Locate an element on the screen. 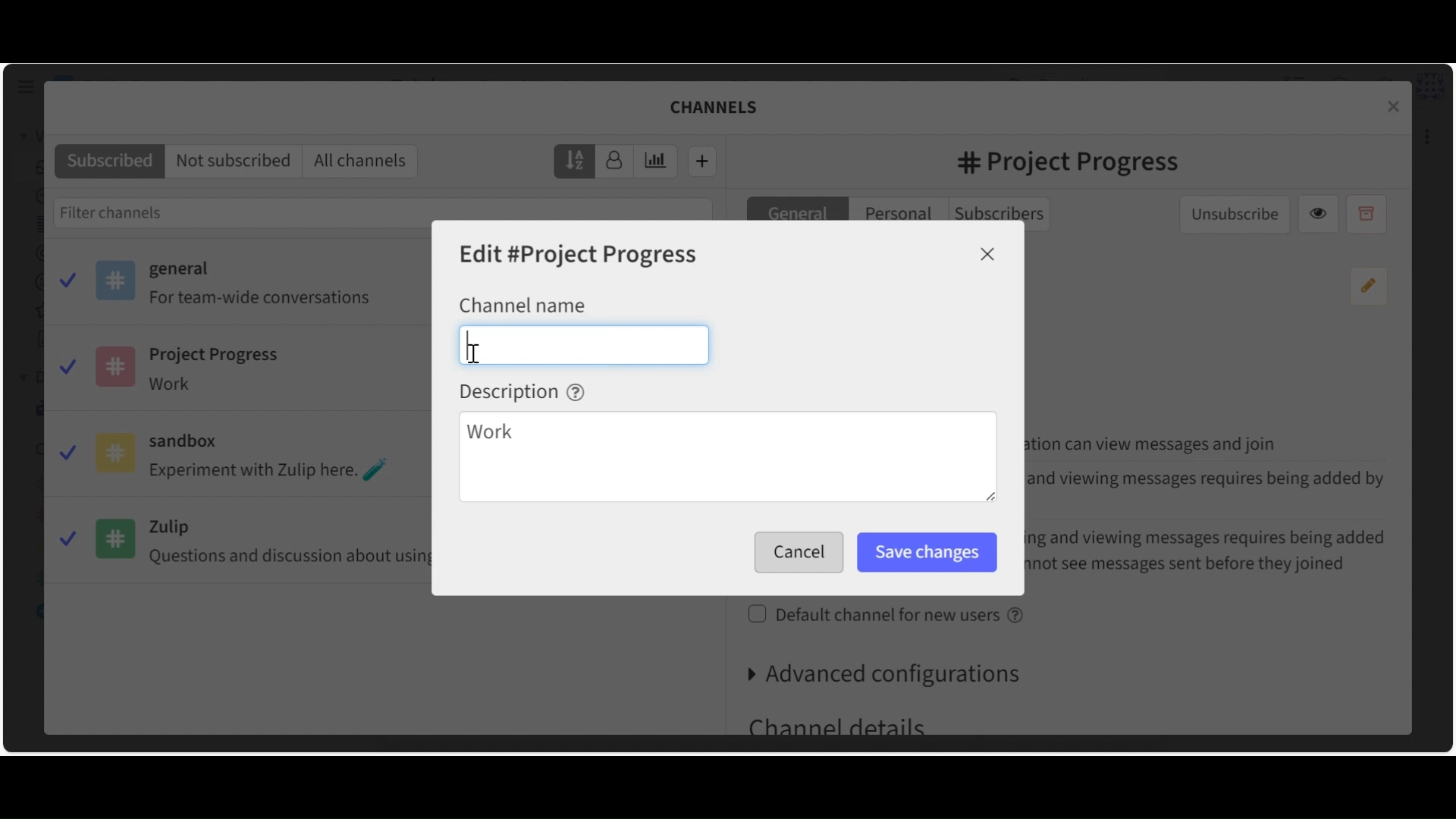 This screenshot has height=819, width=1456. Channel Name is located at coordinates (522, 304).